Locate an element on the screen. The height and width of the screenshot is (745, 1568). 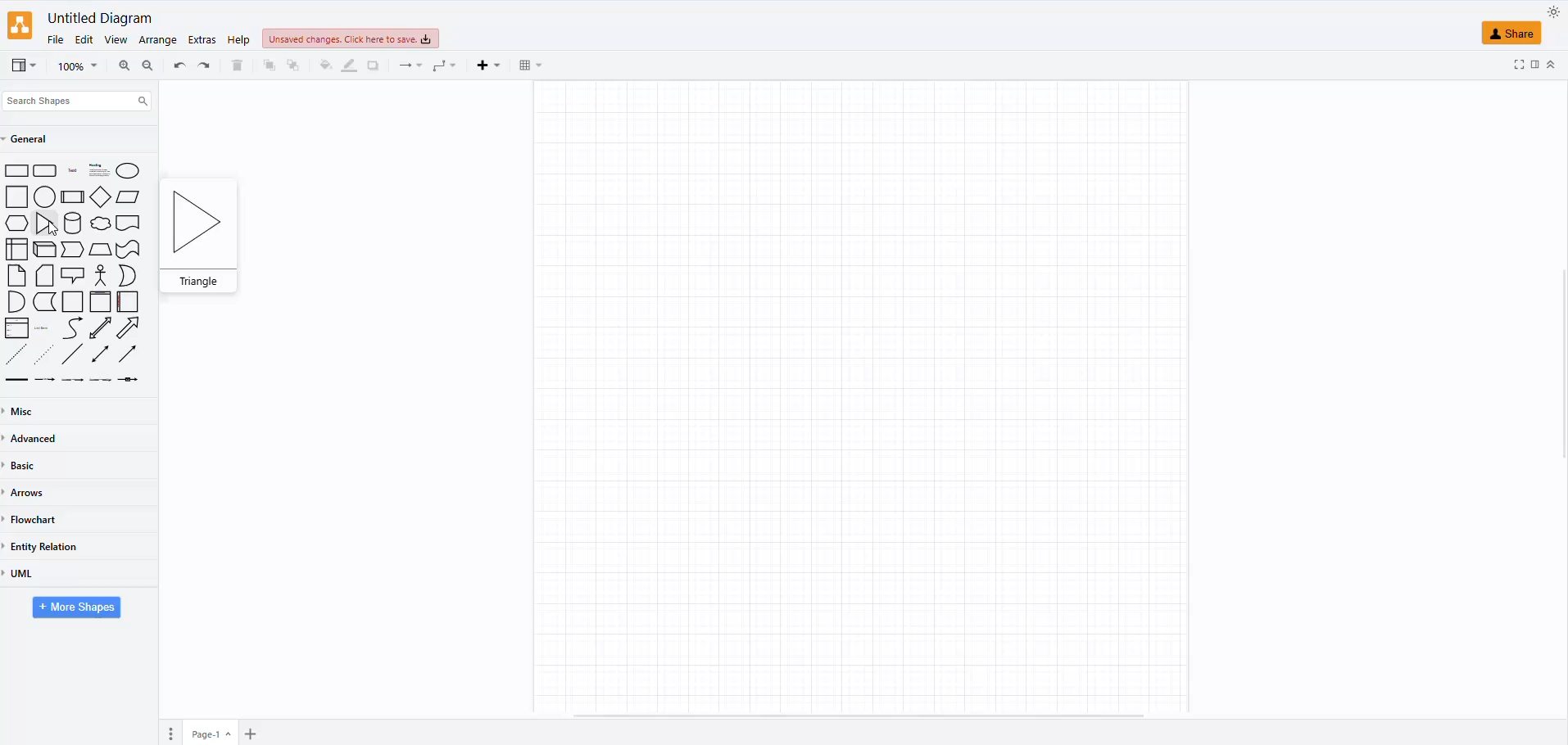
file name is located at coordinates (97, 17).